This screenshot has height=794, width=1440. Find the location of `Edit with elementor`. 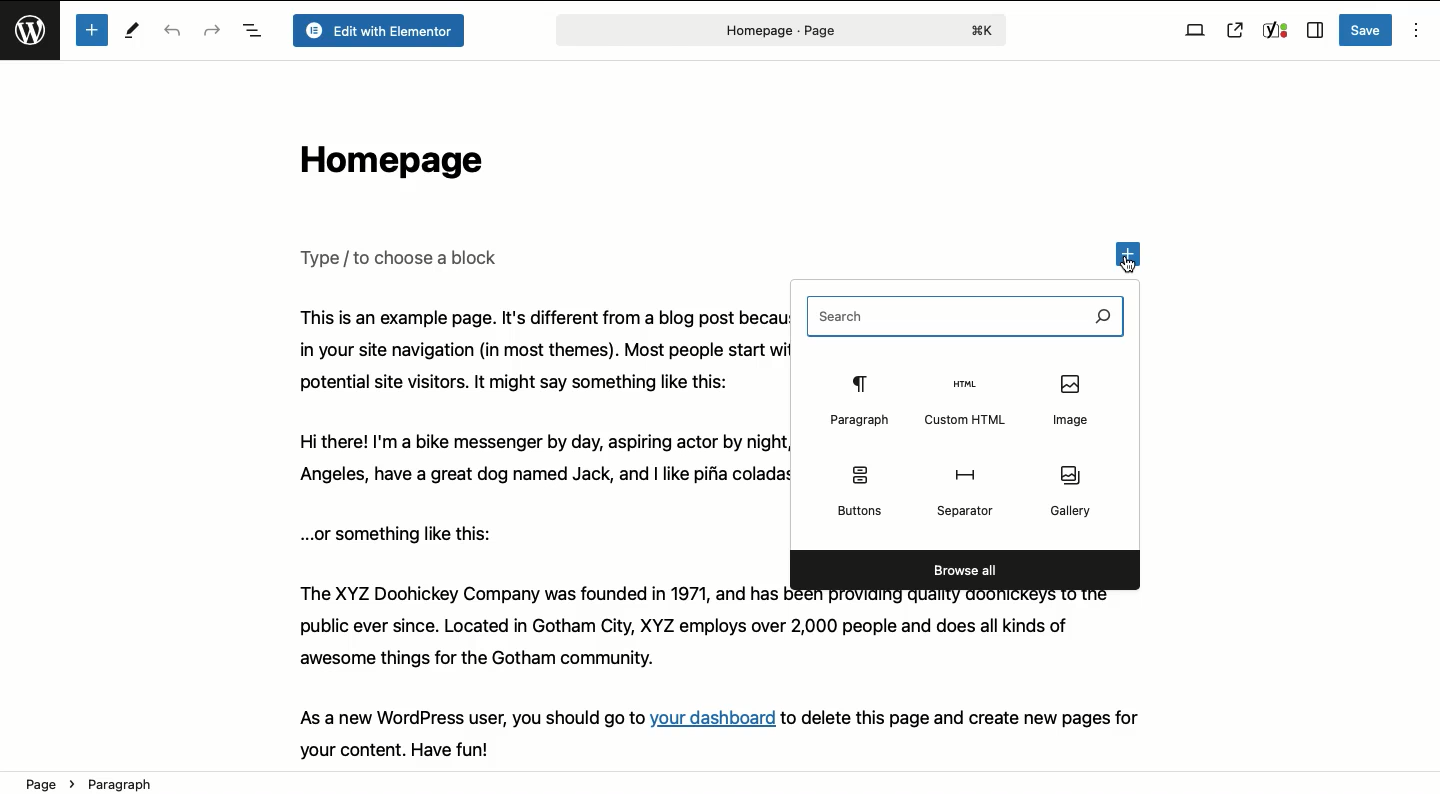

Edit with elementor is located at coordinates (377, 31).